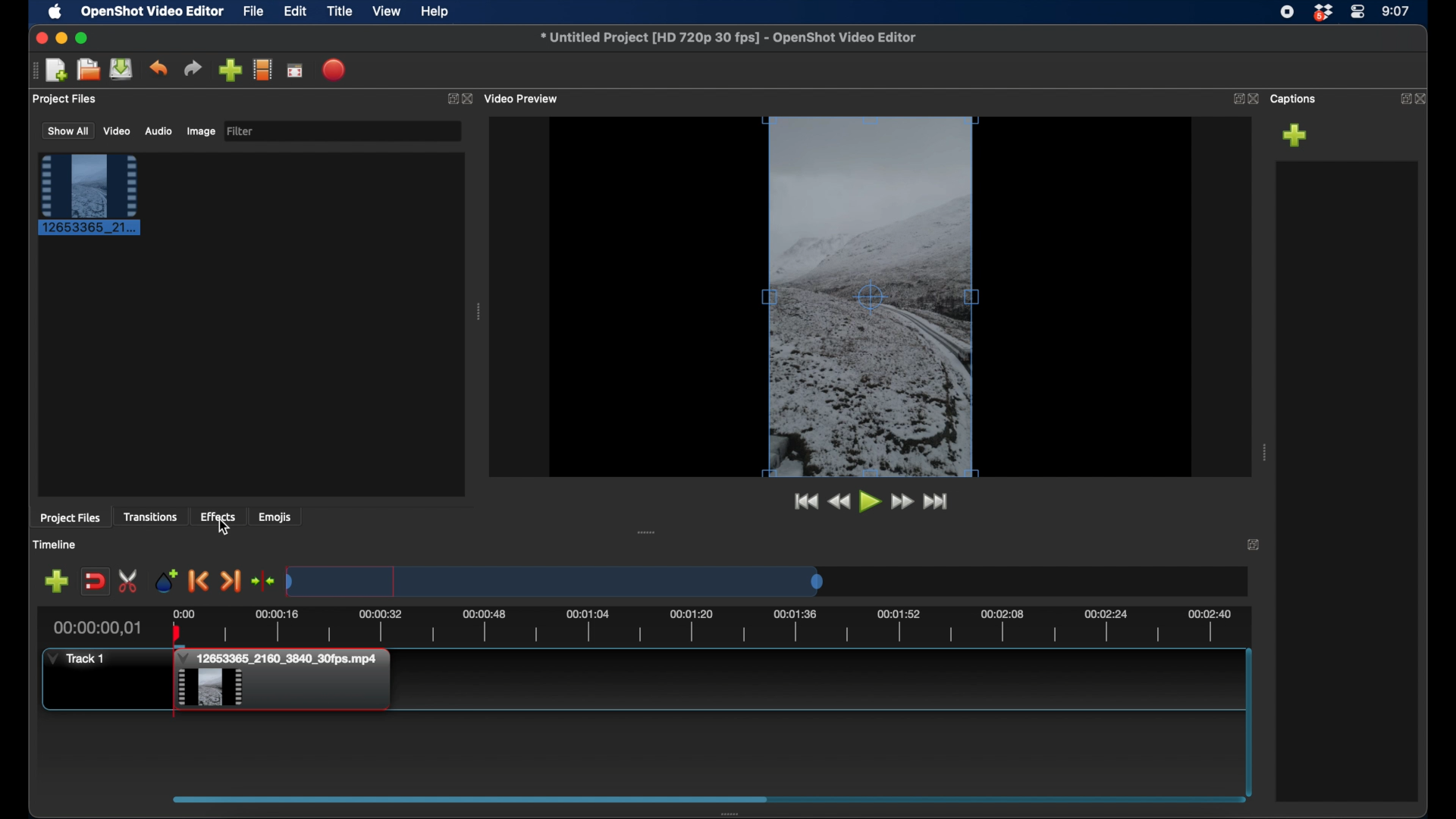  Describe the element at coordinates (1287, 12) in the screenshot. I see `screen recorder icon` at that location.